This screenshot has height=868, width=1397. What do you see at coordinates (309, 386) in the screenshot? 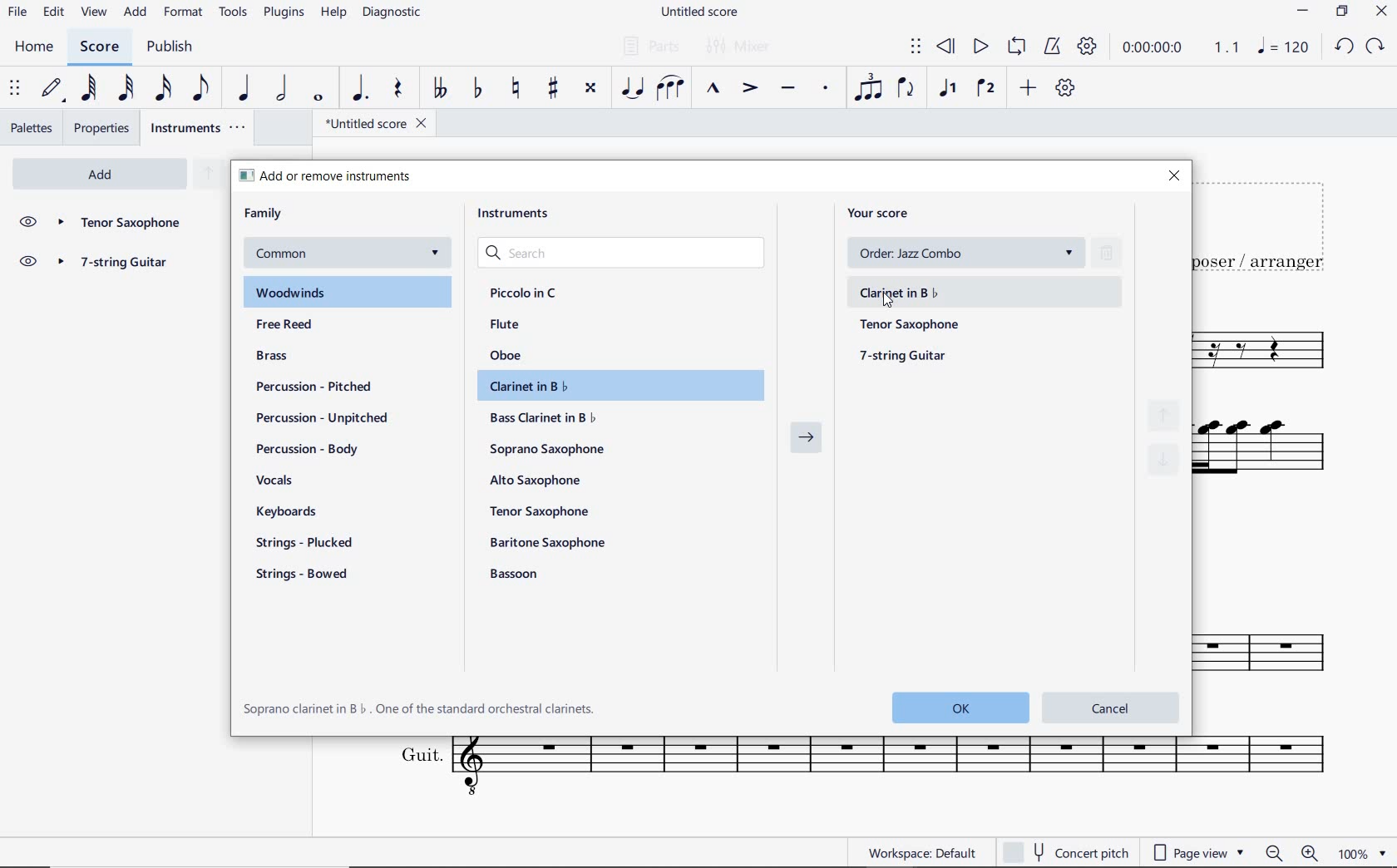
I see `percussion - pitched` at bounding box center [309, 386].